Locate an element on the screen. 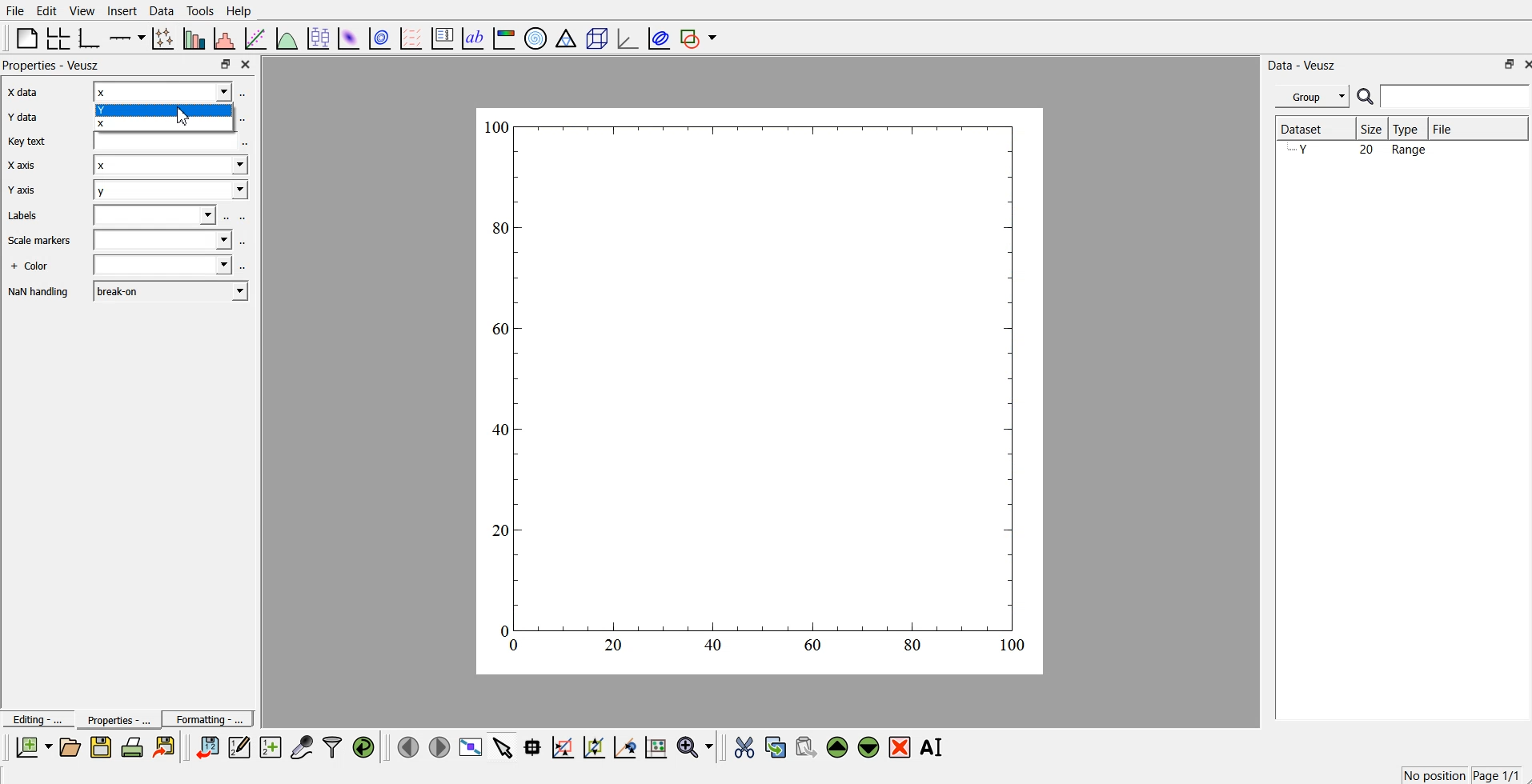 The height and width of the screenshot is (784, 1532). plot a vector field is located at coordinates (413, 38).